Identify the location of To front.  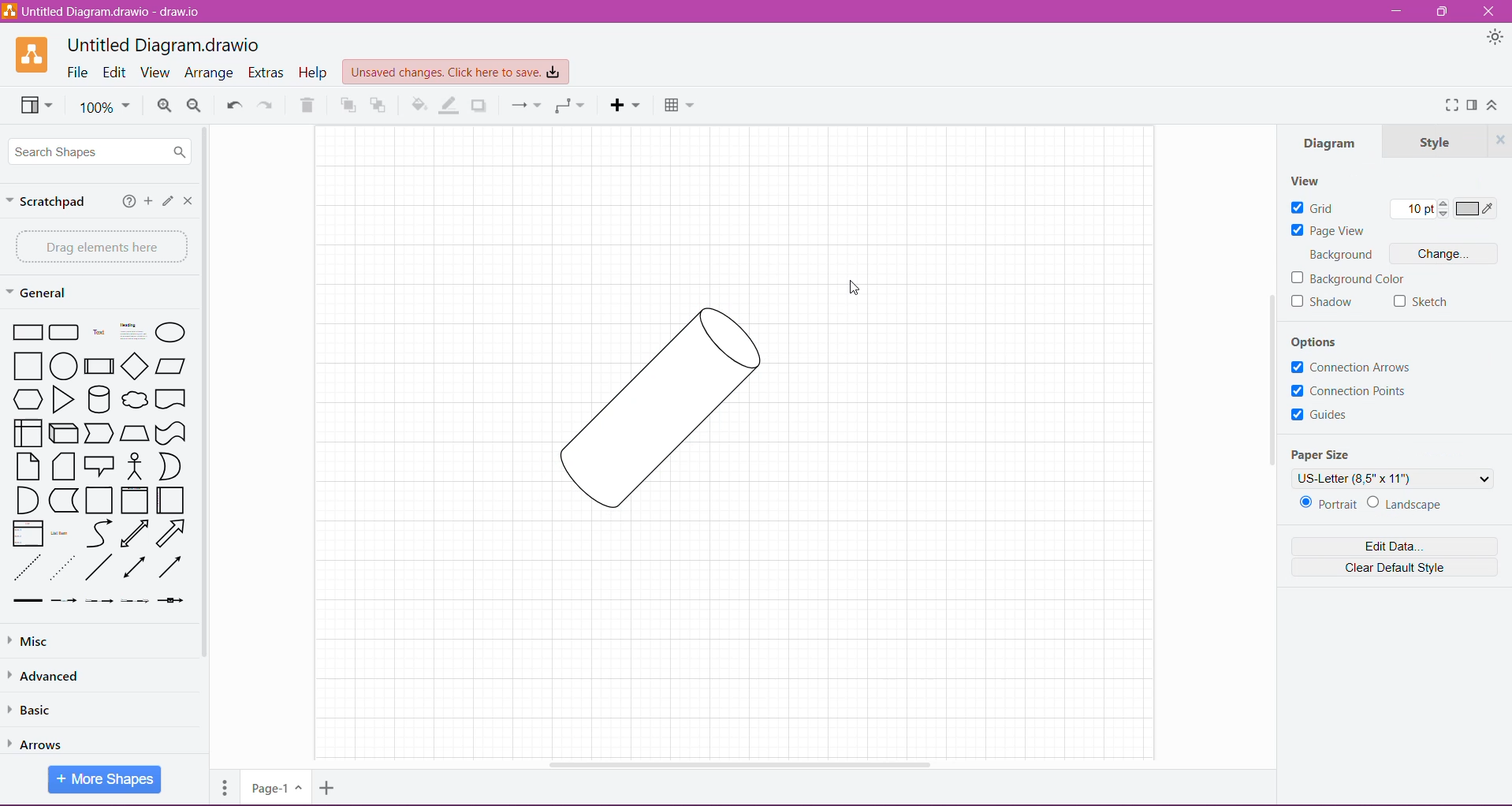
(347, 107).